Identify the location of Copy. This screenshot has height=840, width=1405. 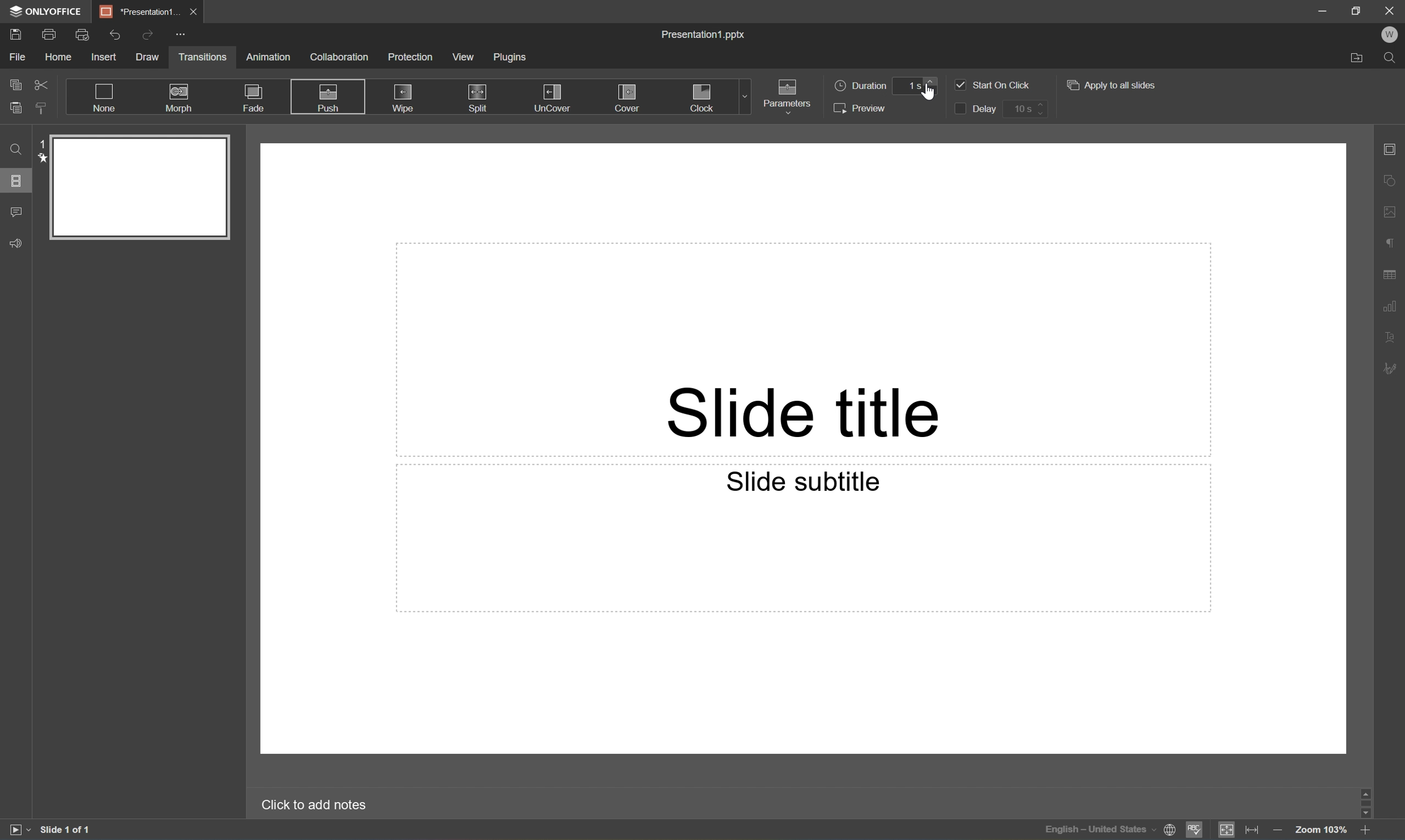
(15, 83).